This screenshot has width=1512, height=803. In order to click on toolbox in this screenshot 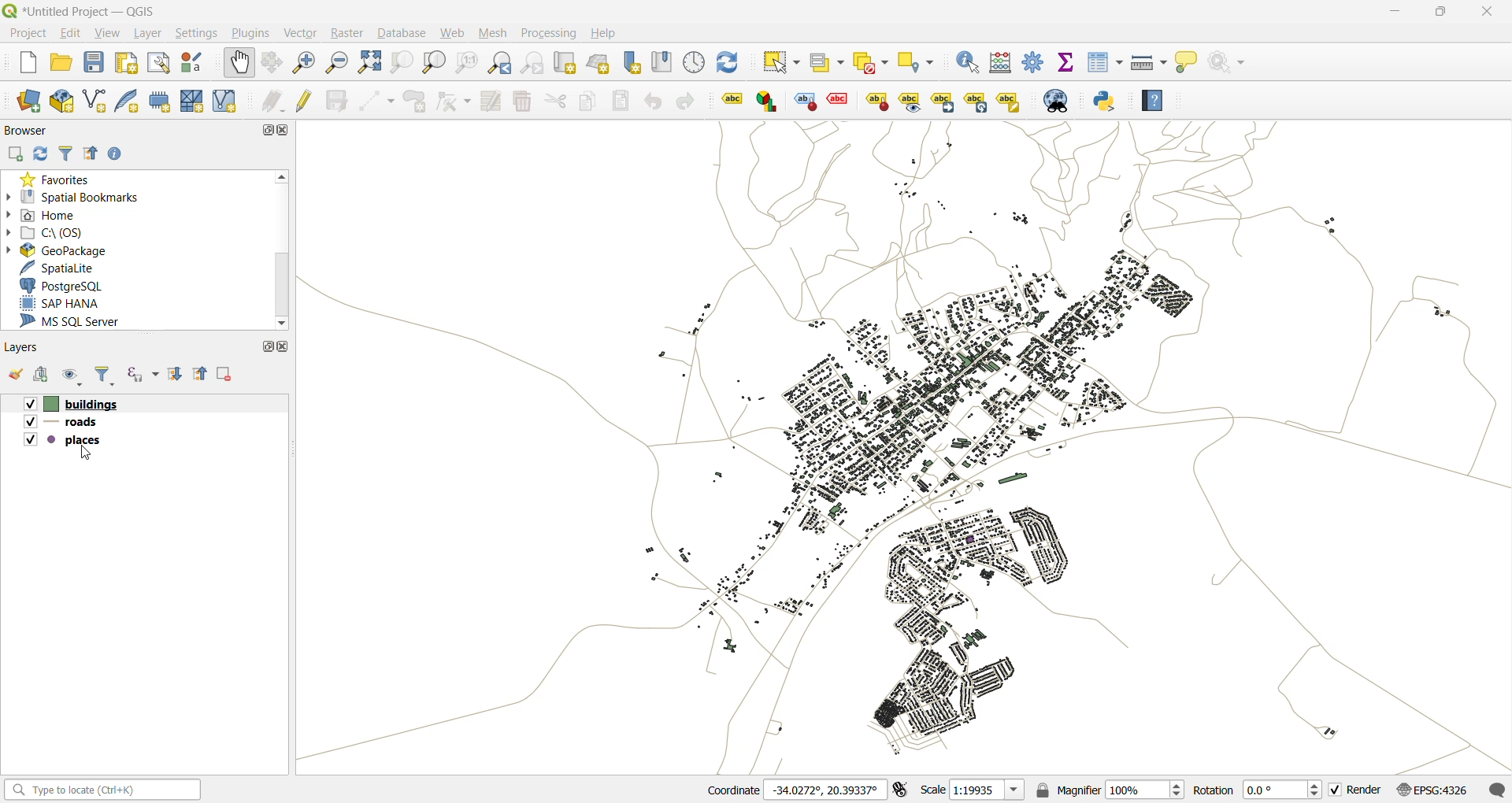, I will do `click(1034, 65)`.